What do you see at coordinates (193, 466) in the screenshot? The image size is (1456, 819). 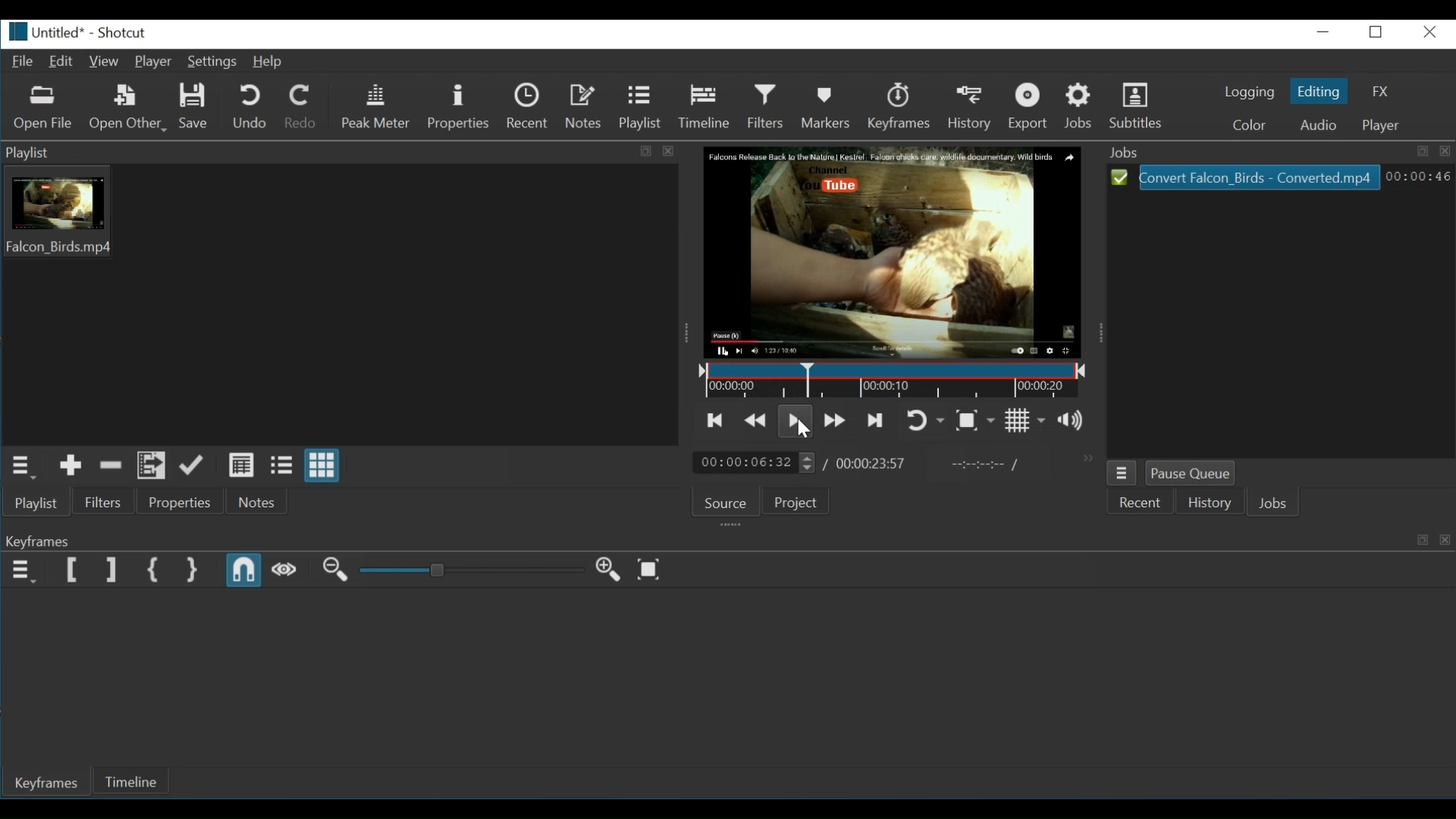 I see `Update` at bounding box center [193, 466].